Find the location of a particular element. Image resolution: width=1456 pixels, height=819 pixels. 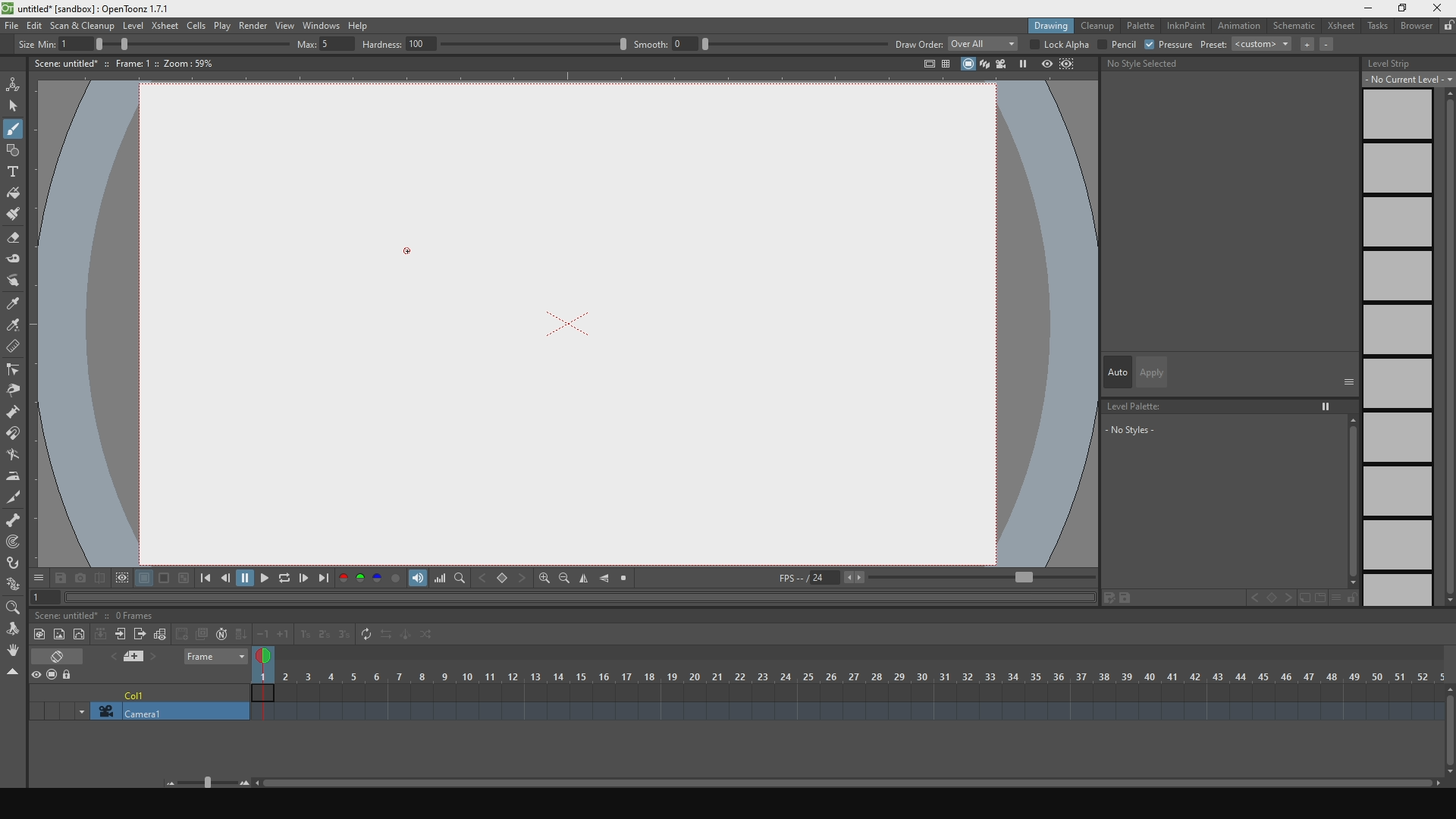

render is located at coordinates (252, 25).